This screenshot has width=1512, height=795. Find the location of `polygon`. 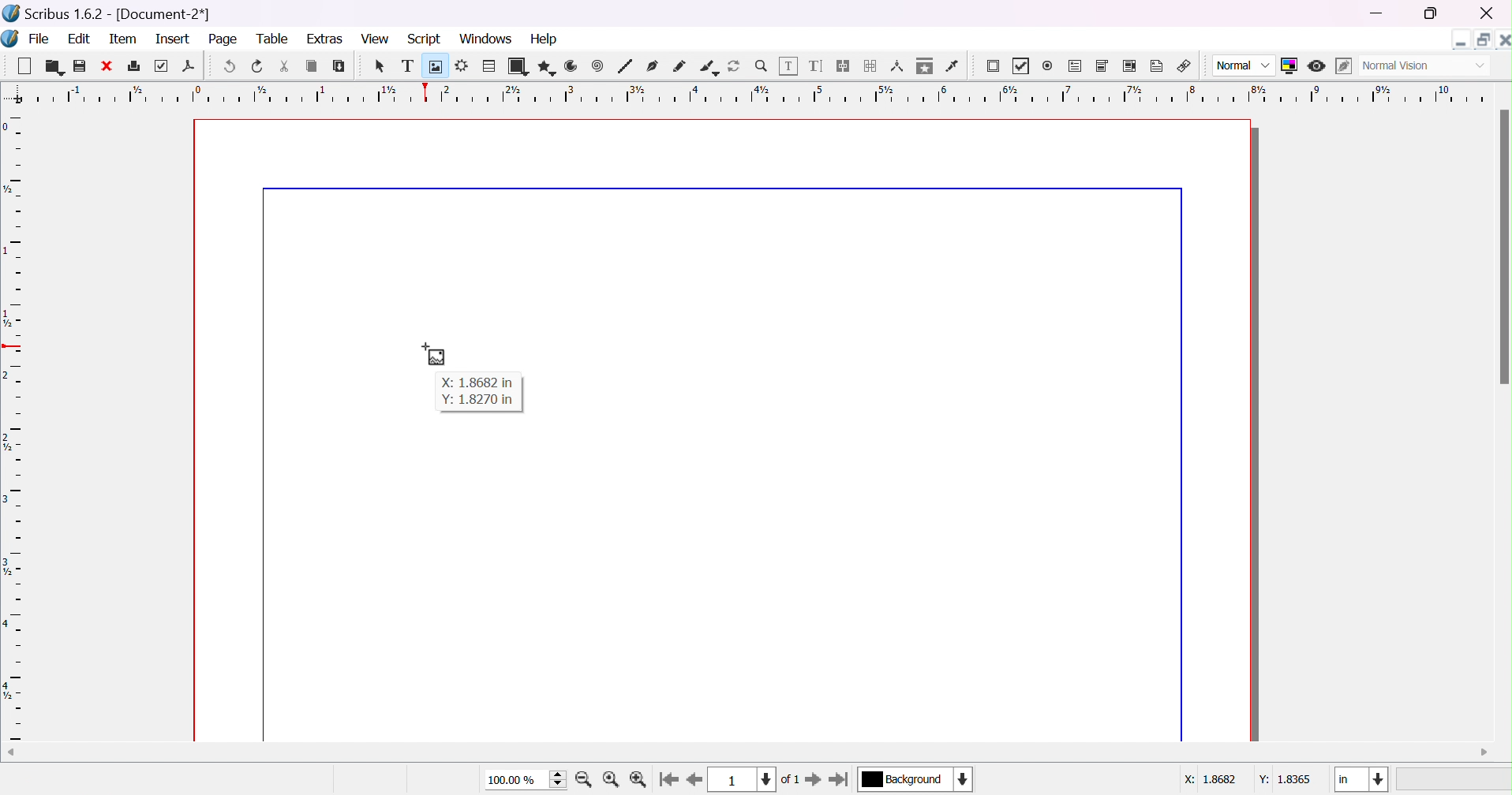

polygon is located at coordinates (545, 66).